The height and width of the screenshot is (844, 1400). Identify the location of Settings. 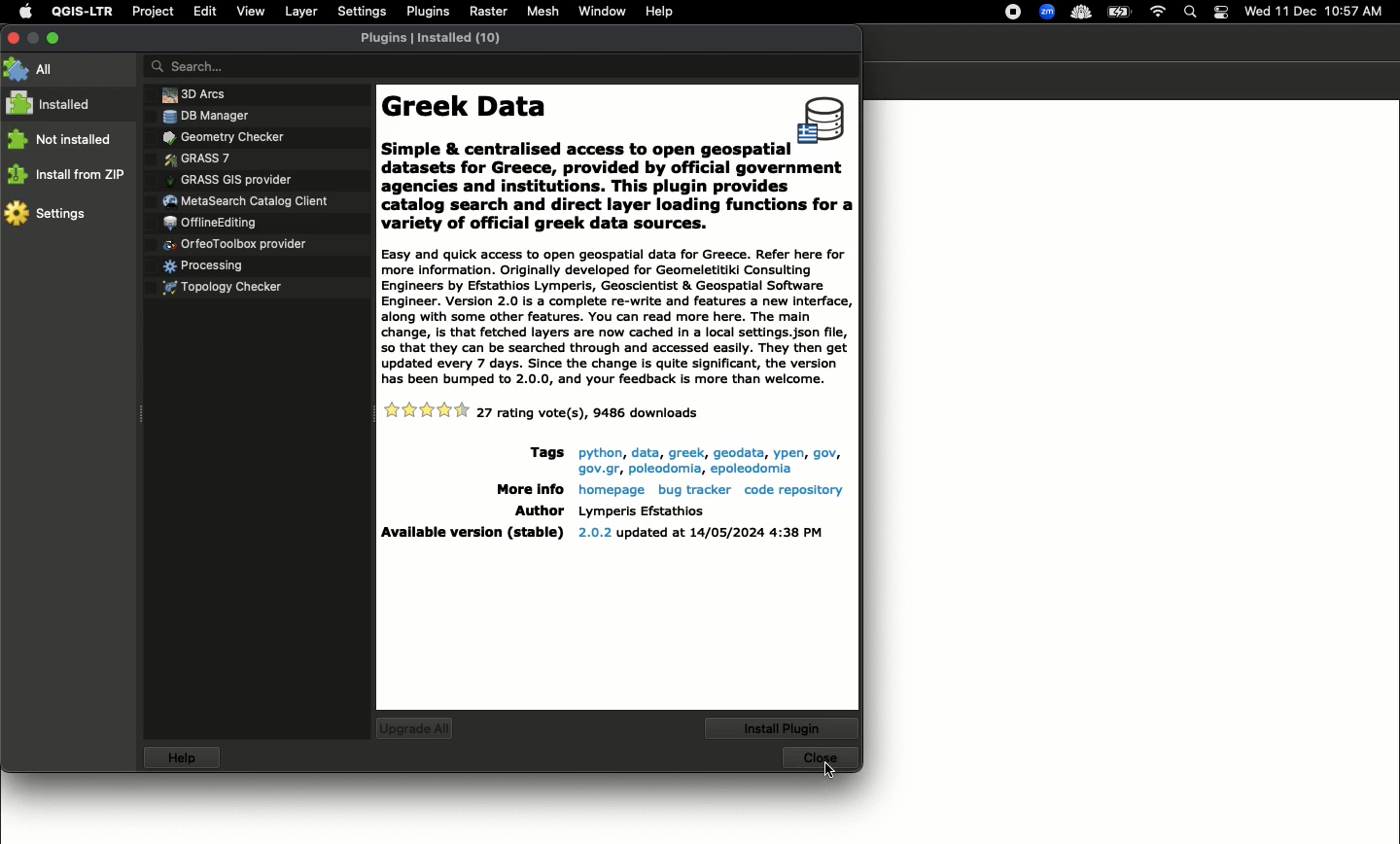
(361, 11).